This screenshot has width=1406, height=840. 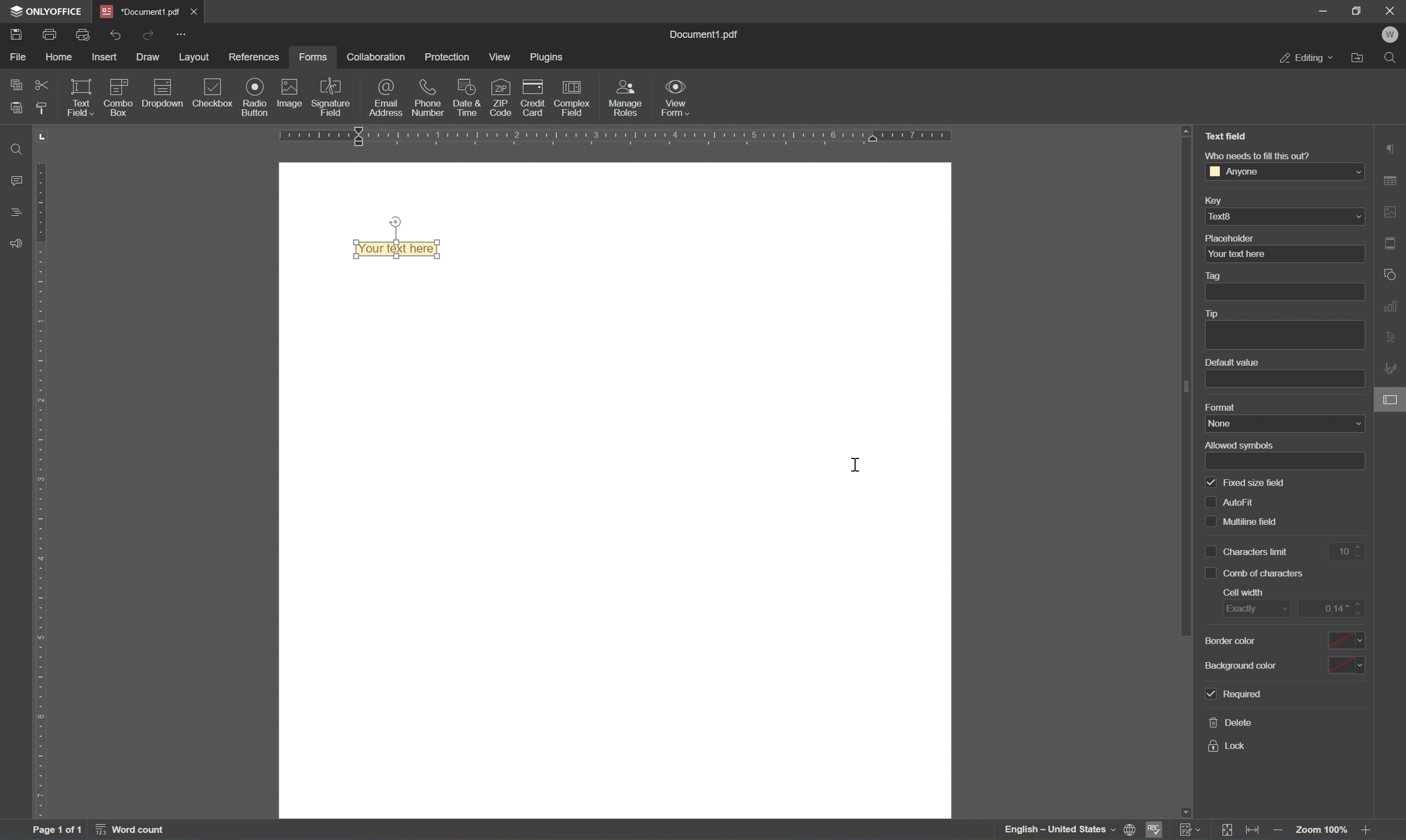 What do you see at coordinates (1330, 607) in the screenshot?
I see `value change` at bounding box center [1330, 607].